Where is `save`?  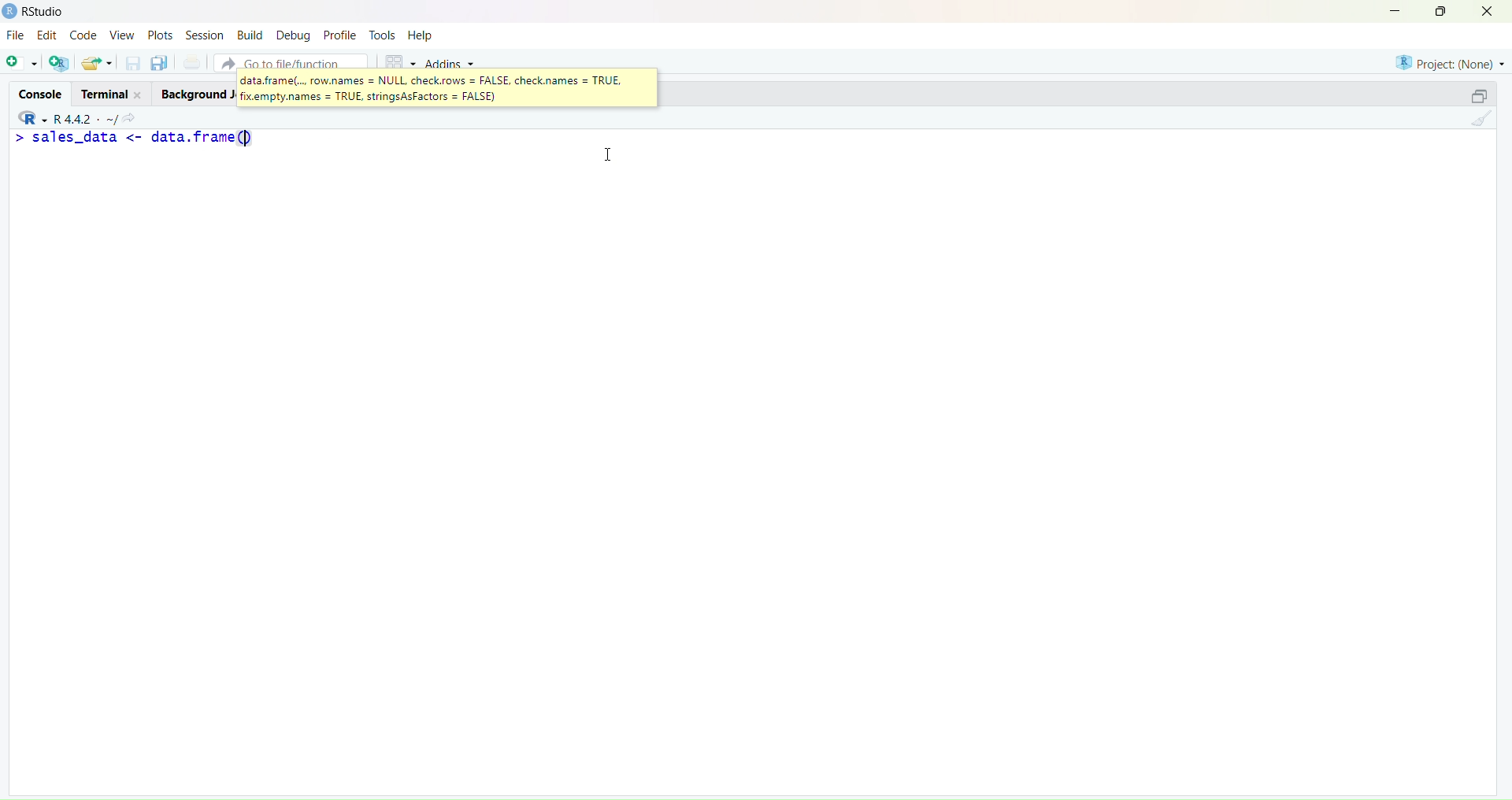
save is located at coordinates (132, 67).